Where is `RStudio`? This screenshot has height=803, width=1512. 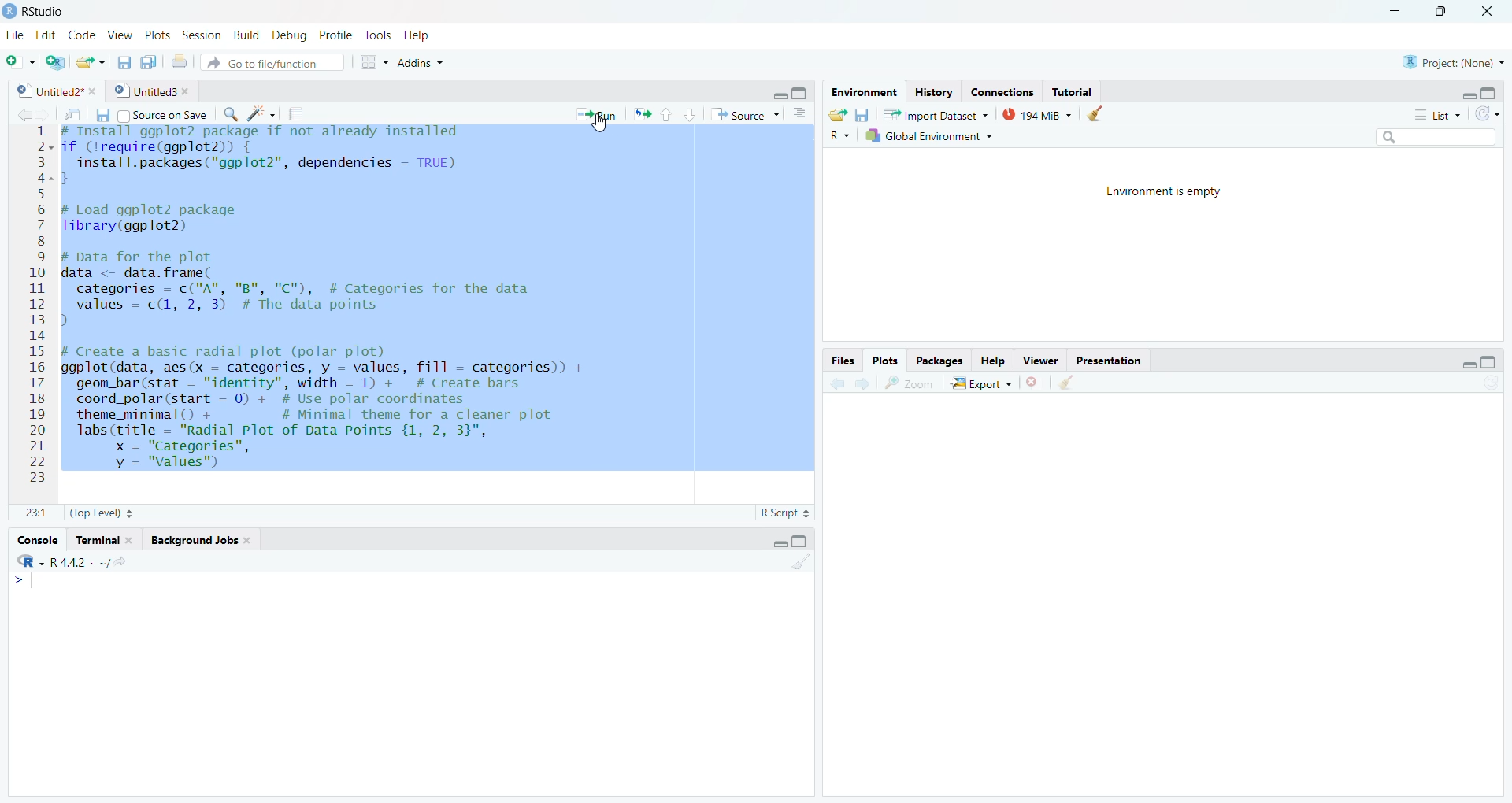 RStudio is located at coordinates (45, 11).